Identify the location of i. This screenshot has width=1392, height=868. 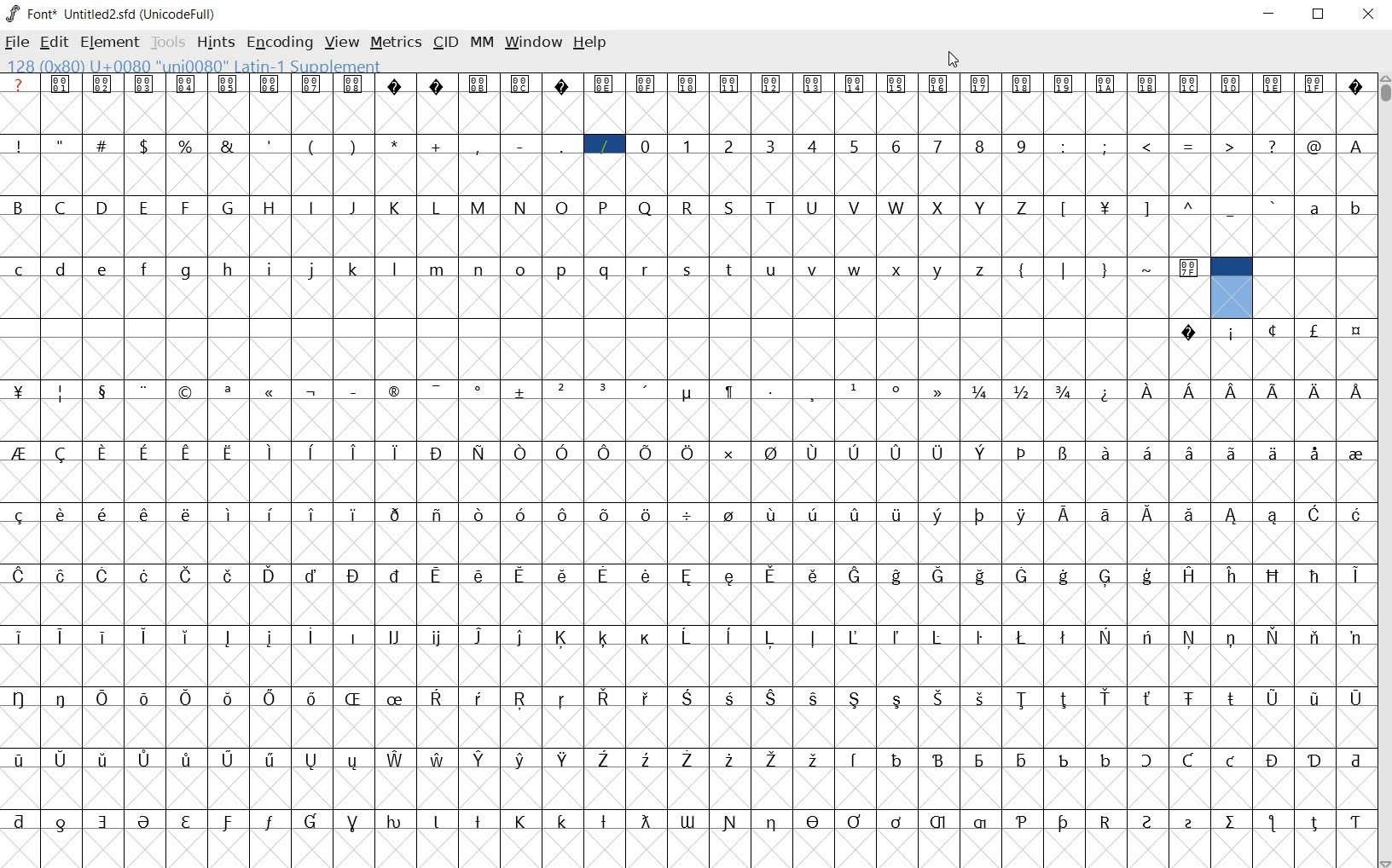
(270, 268).